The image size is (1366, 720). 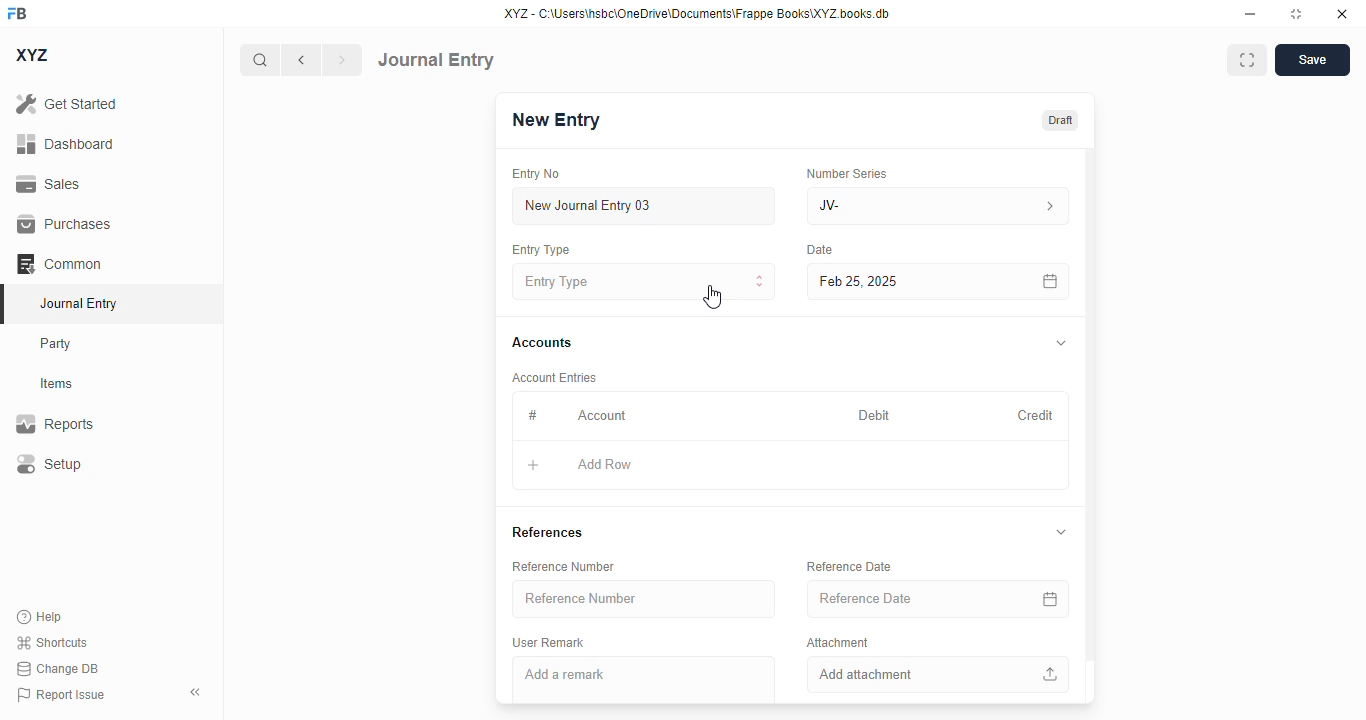 What do you see at coordinates (51, 185) in the screenshot?
I see `sales` at bounding box center [51, 185].